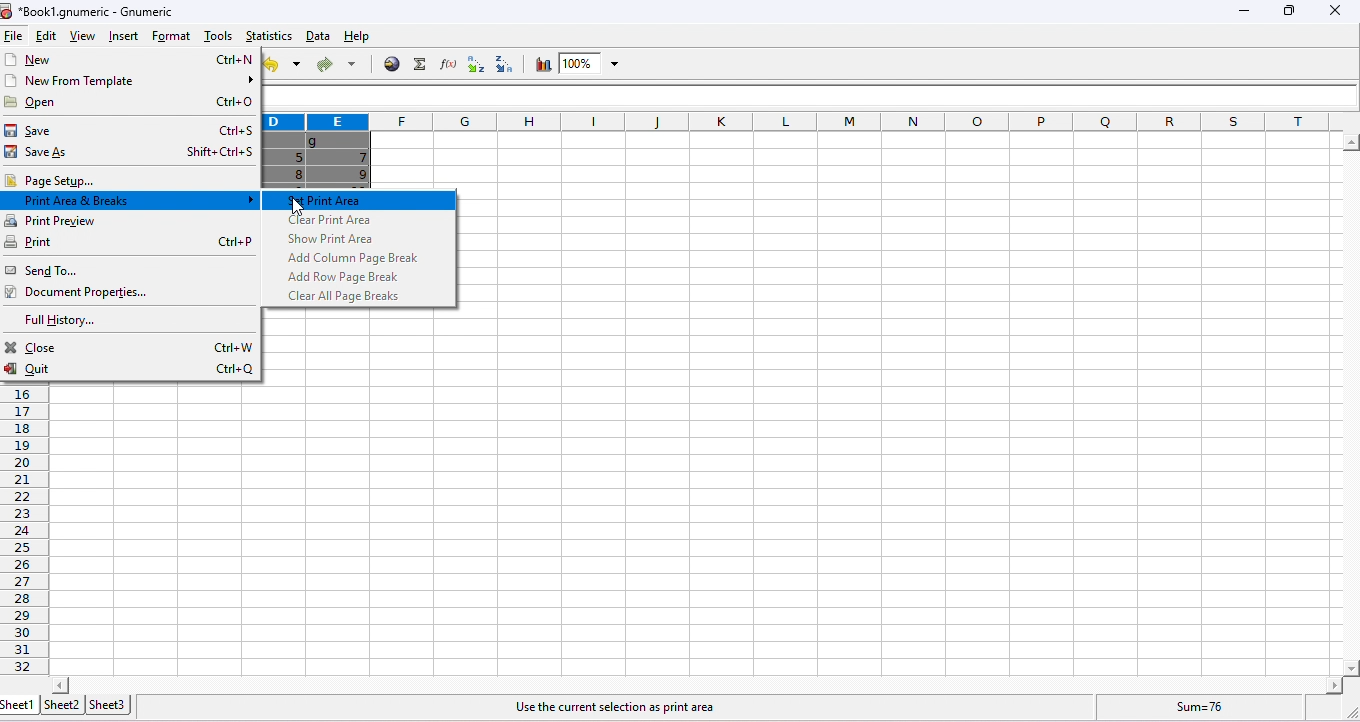  I want to click on column headings, so click(803, 122).